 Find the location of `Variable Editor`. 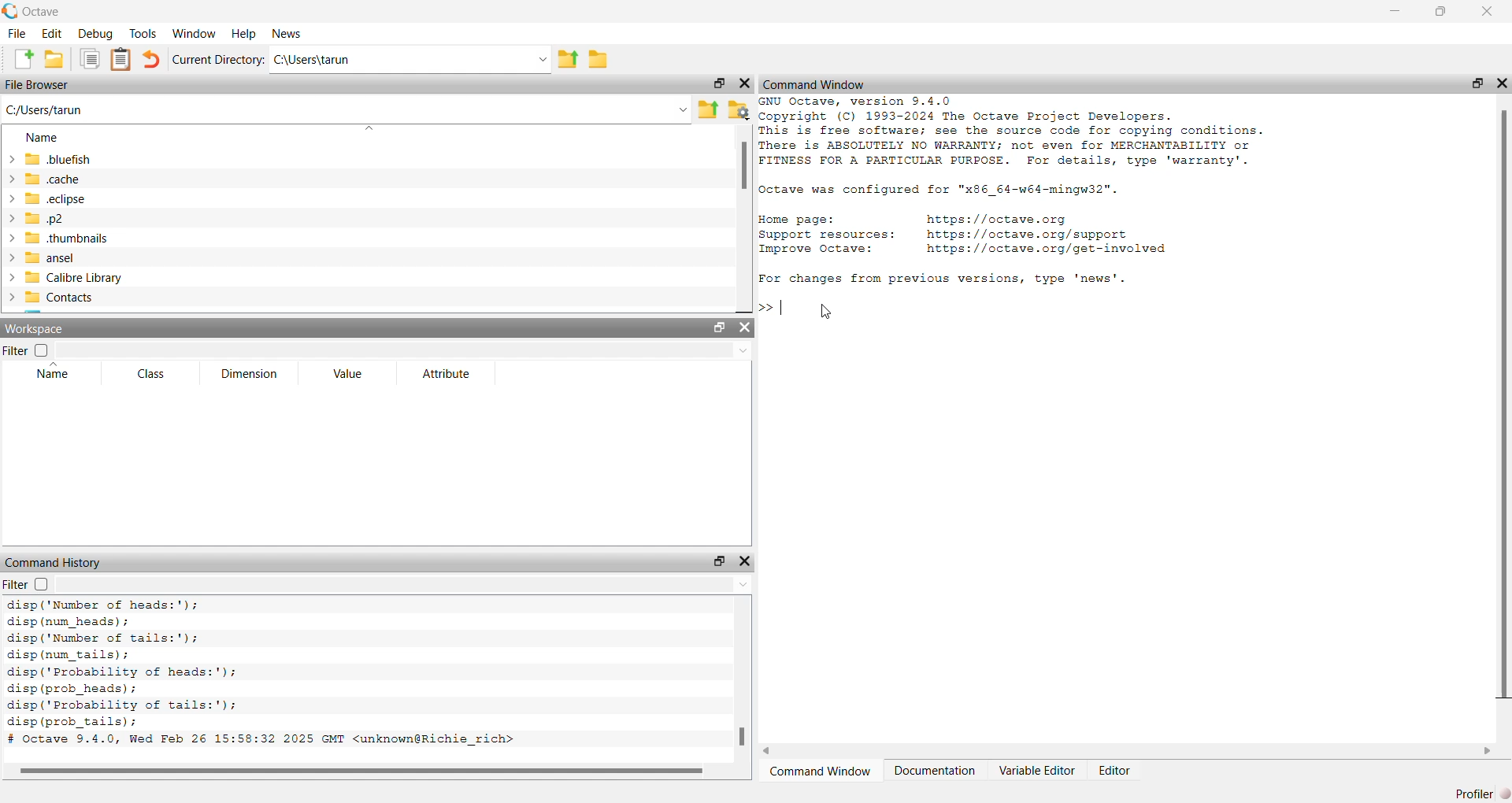

Variable Editor is located at coordinates (1039, 771).